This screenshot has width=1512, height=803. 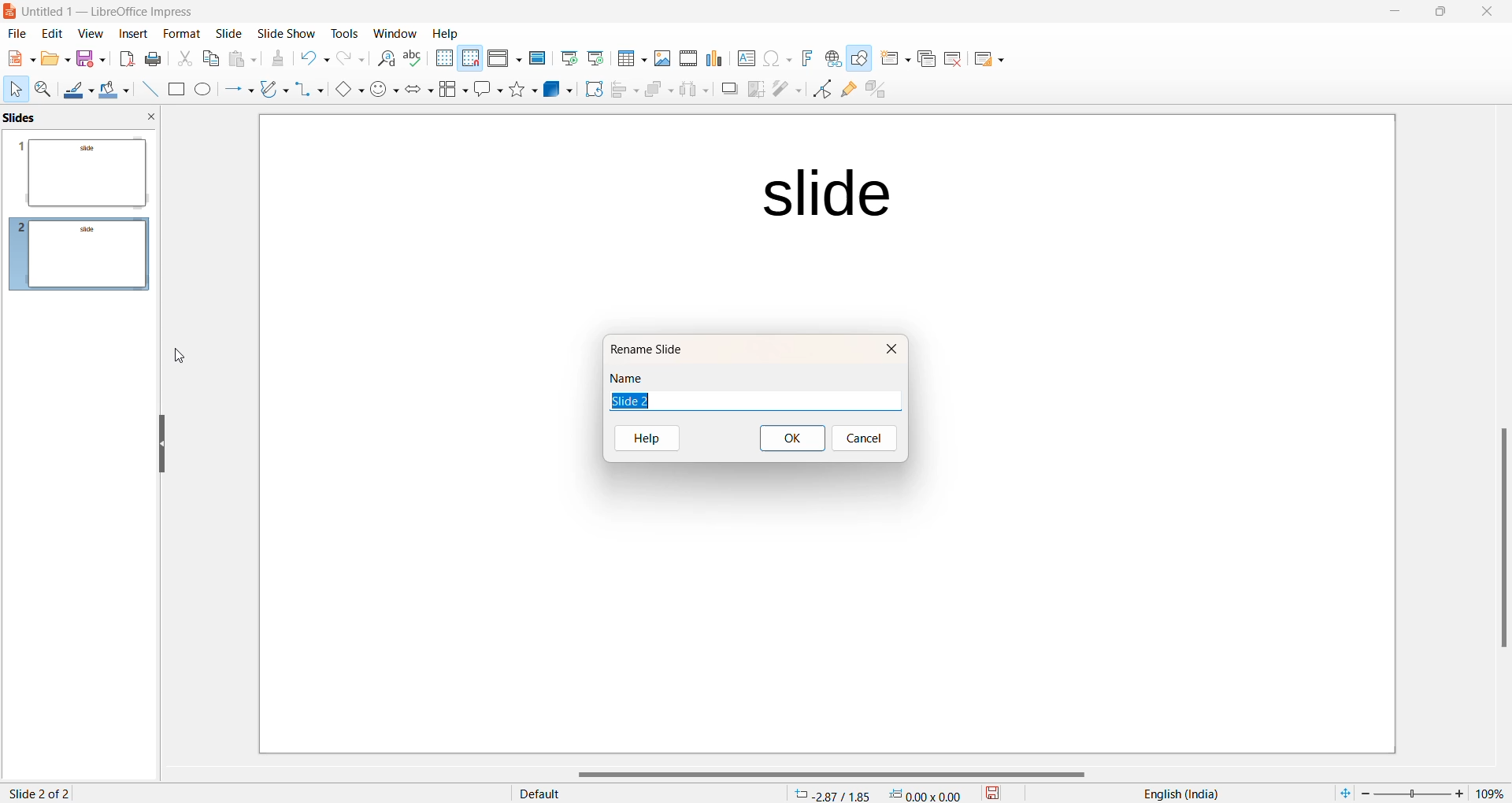 What do you see at coordinates (656, 437) in the screenshot?
I see `help` at bounding box center [656, 437].